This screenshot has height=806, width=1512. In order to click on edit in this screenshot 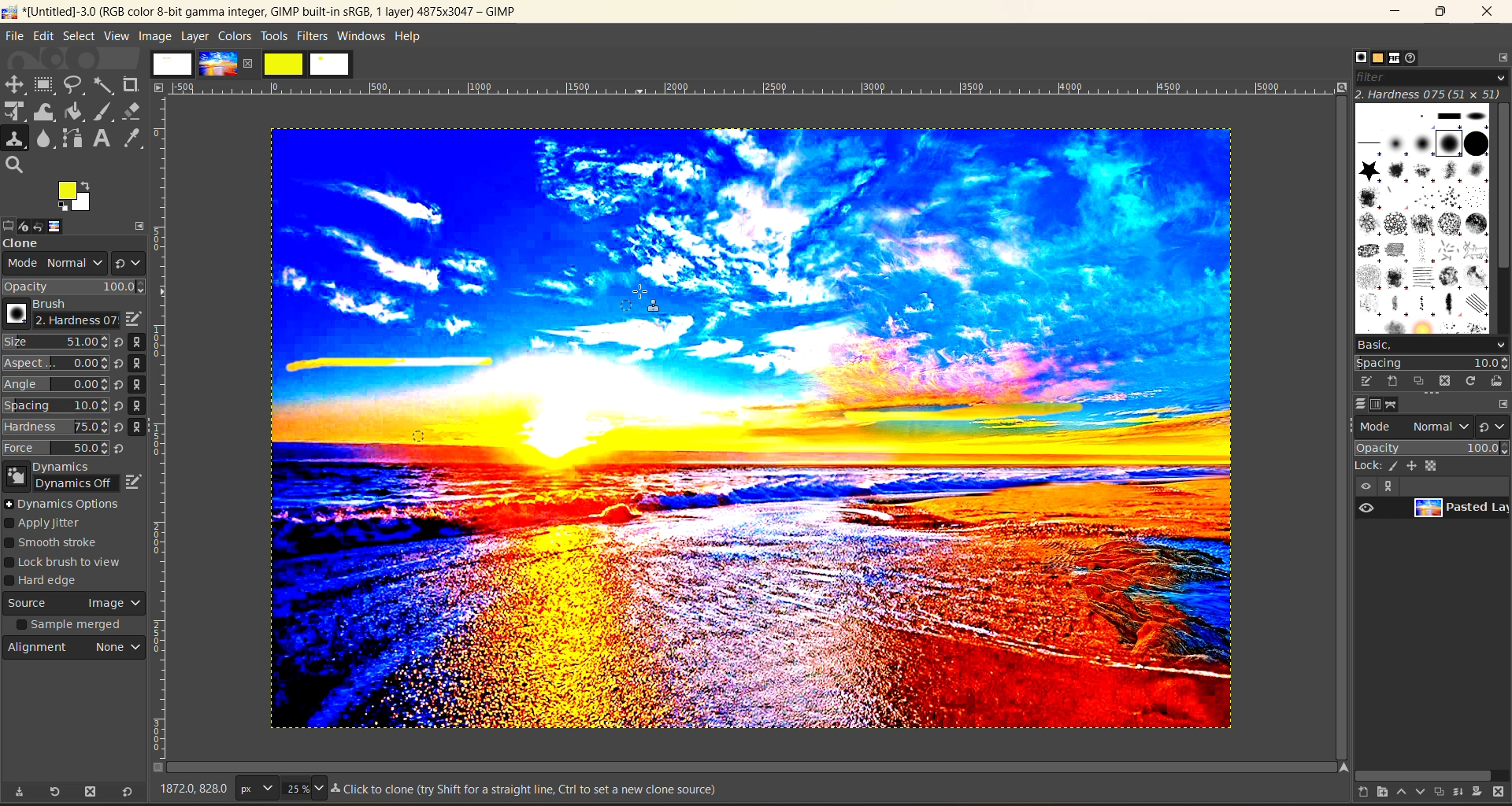, I will do `click(135, 479)`.